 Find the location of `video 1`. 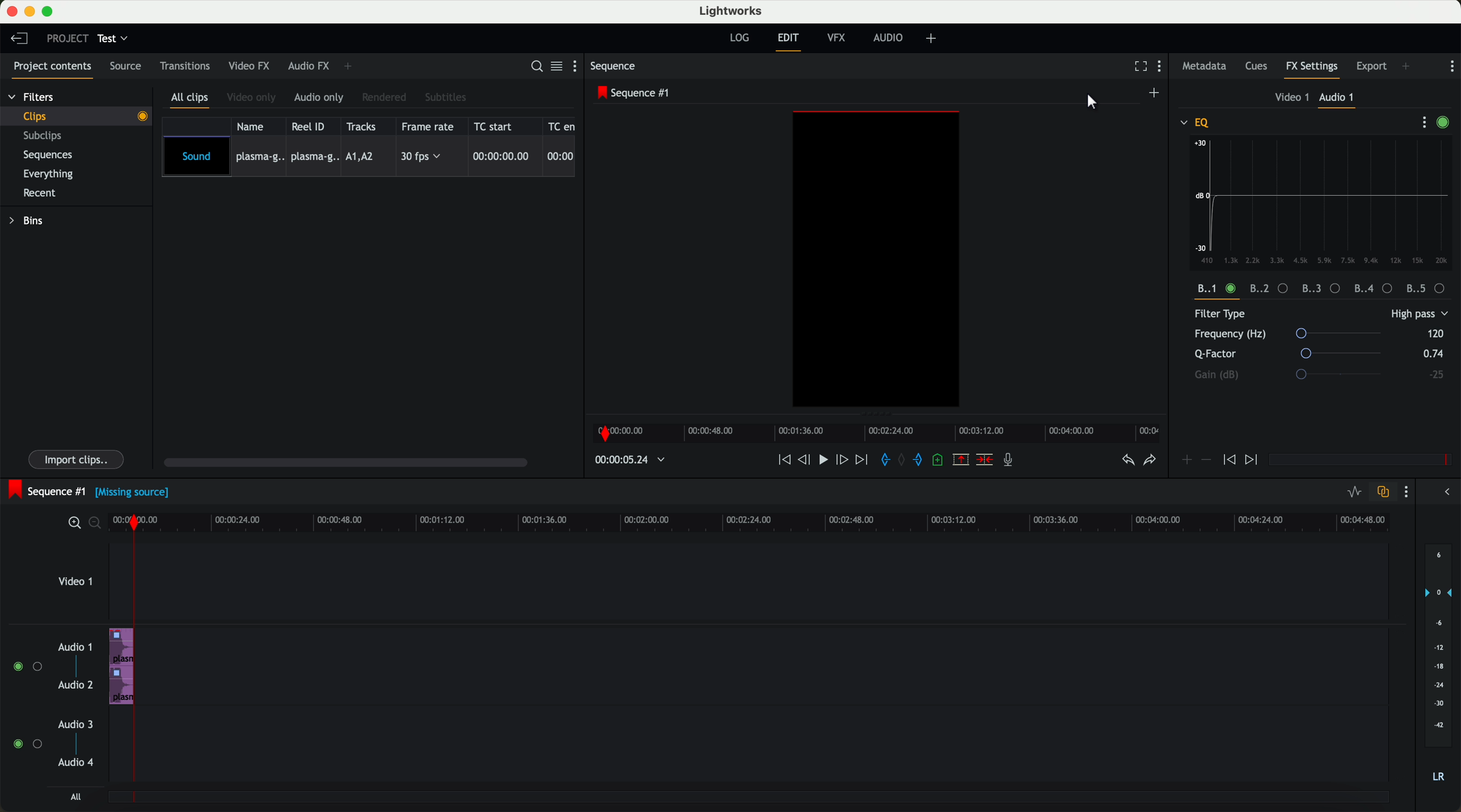

video 1 is located at coordinates (75, 585).